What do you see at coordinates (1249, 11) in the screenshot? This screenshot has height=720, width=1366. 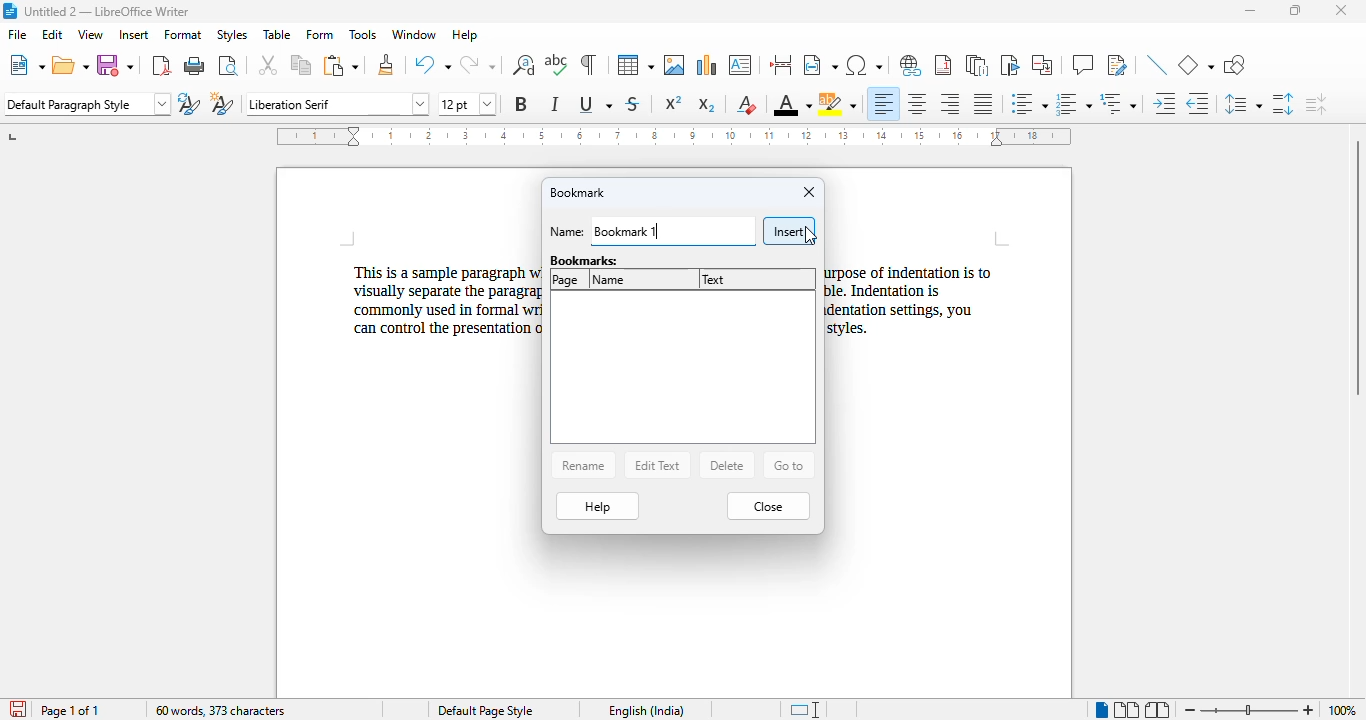 I see `minimize` at bounding box center [1249, 11].